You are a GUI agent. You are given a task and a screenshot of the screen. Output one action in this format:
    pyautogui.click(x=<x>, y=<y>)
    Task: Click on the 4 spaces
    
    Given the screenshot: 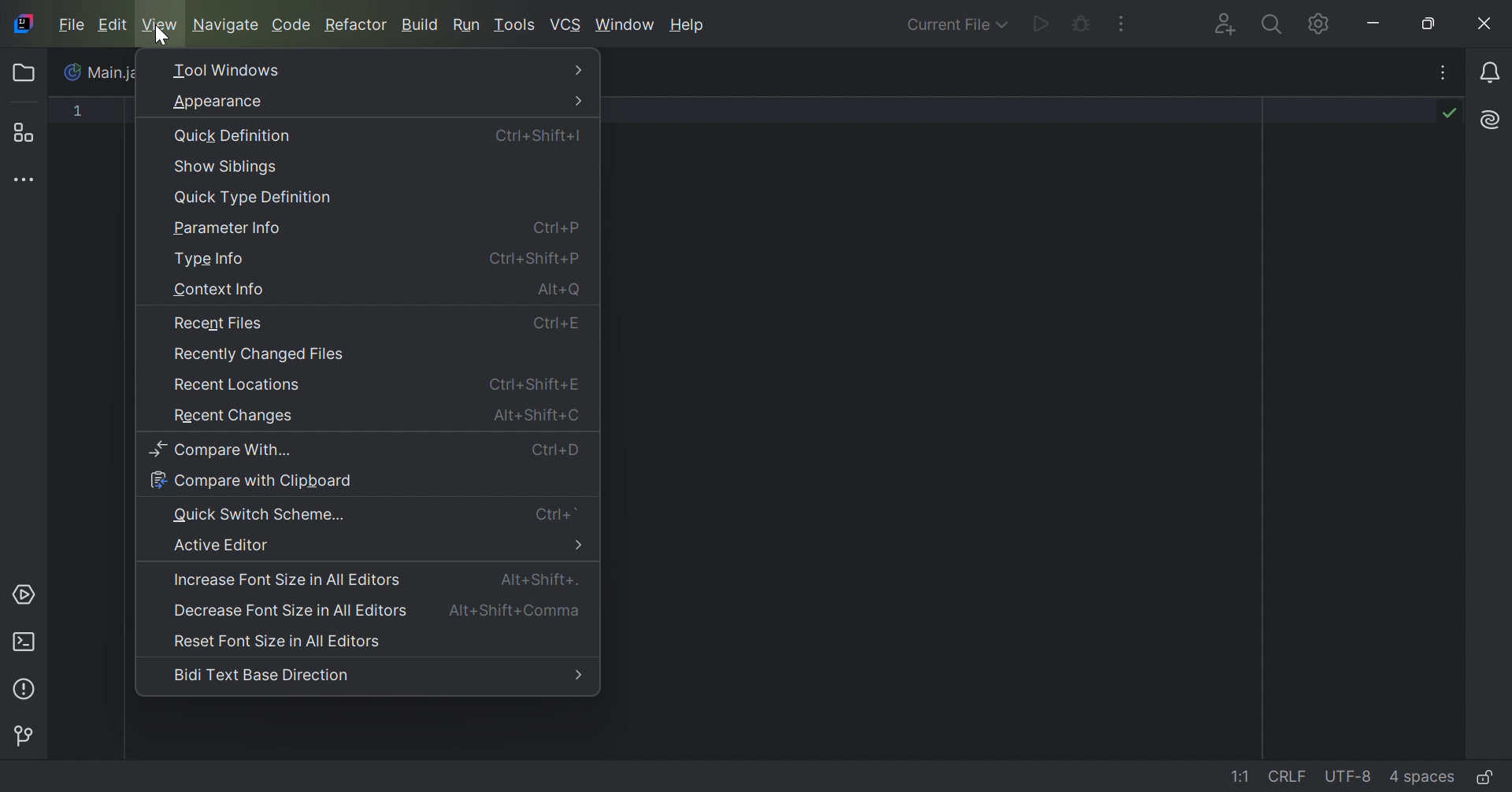 What is the action you would take?
    pyautogui.click(x=1421, y=775)
    